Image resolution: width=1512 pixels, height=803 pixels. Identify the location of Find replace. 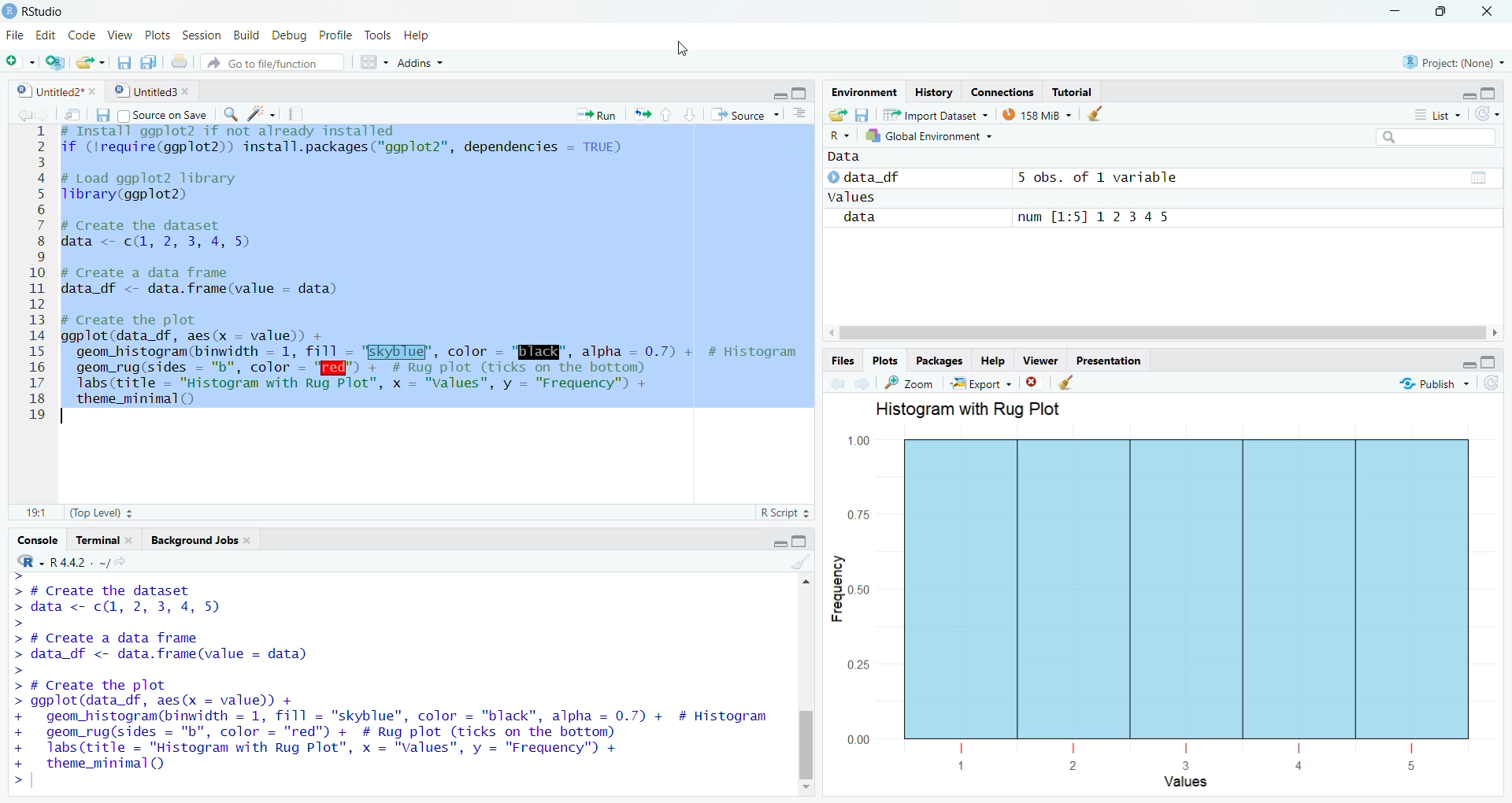
(228, 113).